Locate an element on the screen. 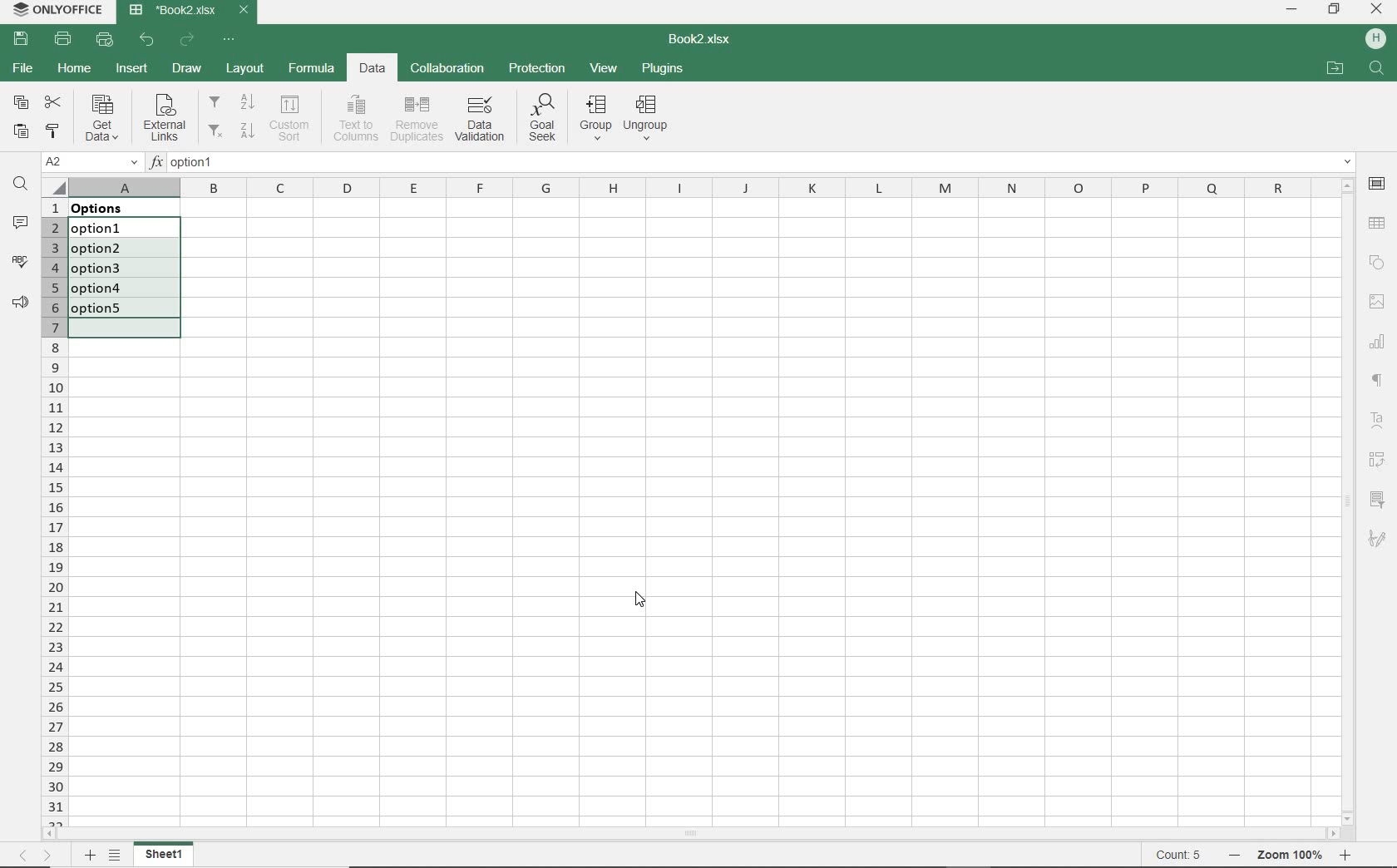 This screenshot has width=1397, height=868. FIND is located at coordinates (19, 184).